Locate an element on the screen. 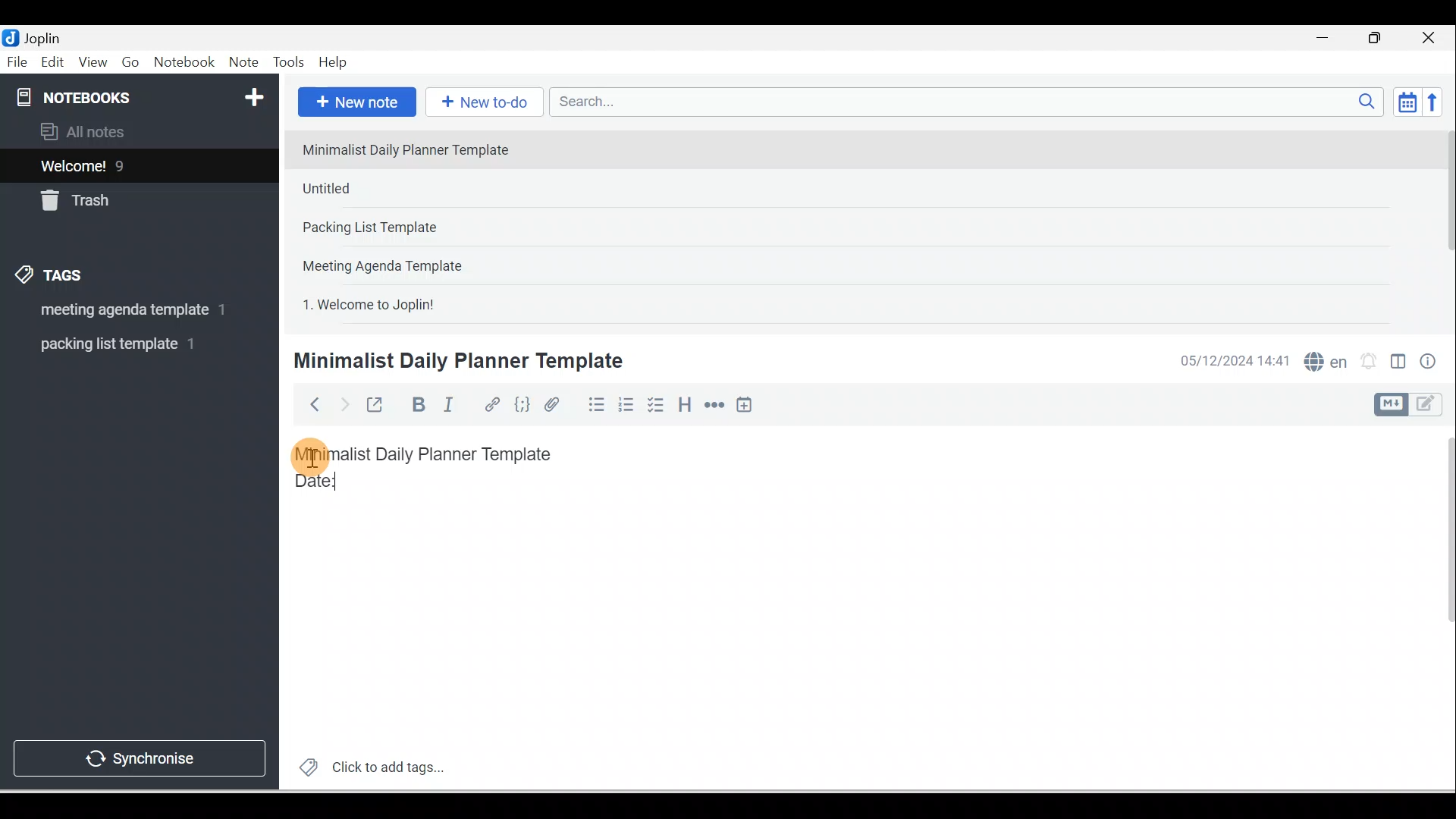 The width and height of the screenshot is (1456, 819). Bulleted list is located at coordinates (593, 404).